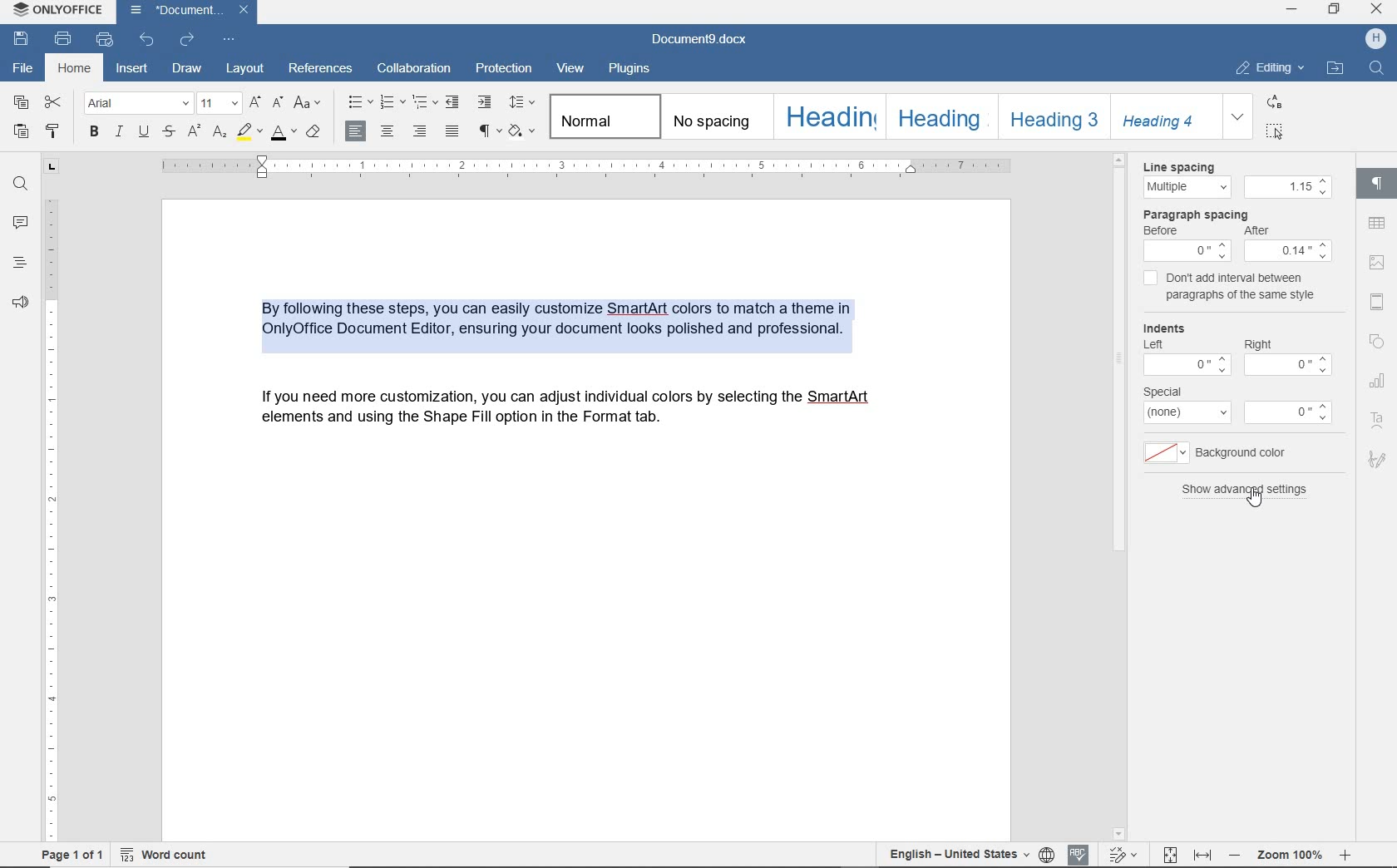 Image resolution: width=1397 pixels, height=868 pixels. I want to click on search, so click(1377, 67).